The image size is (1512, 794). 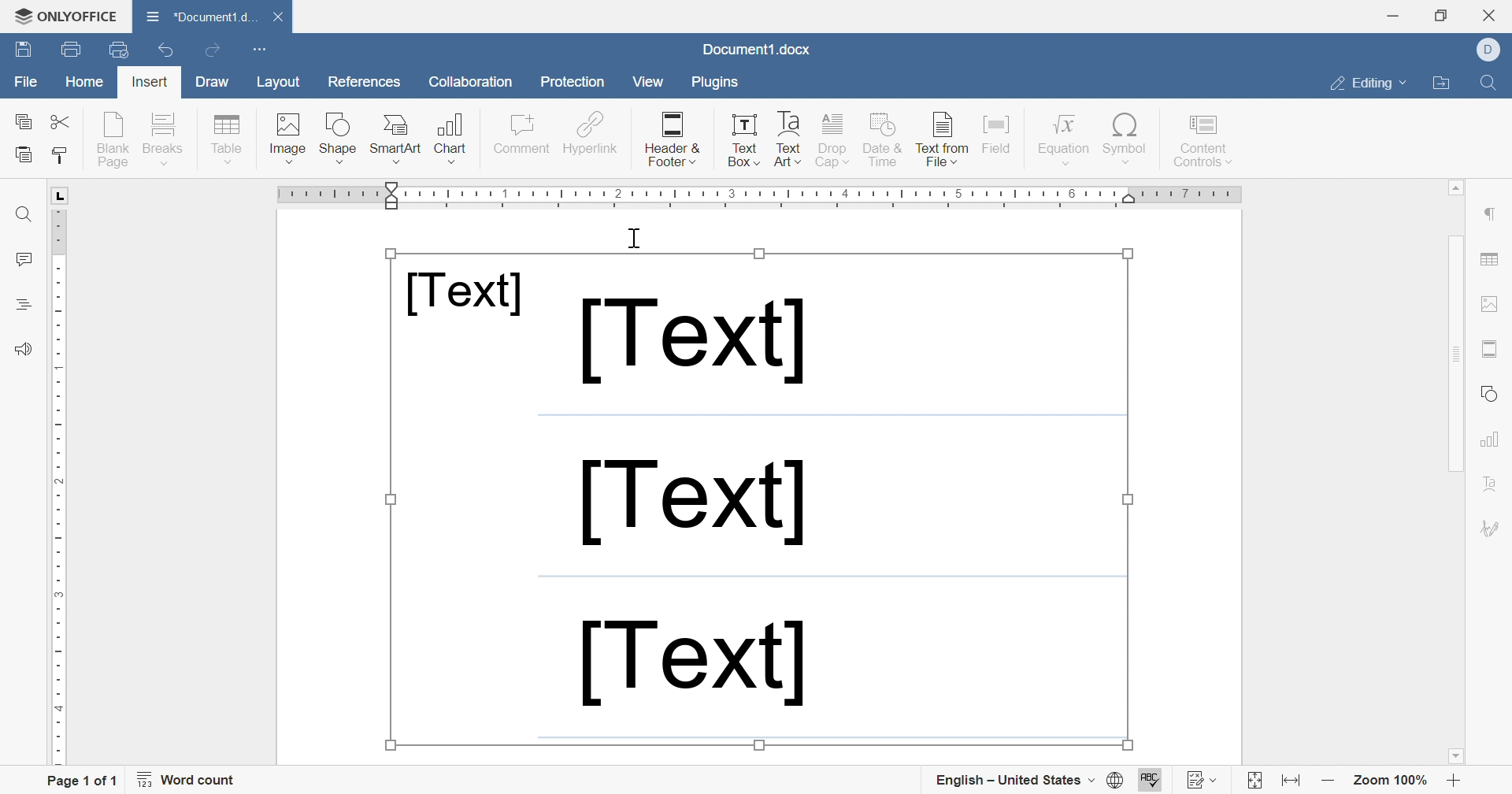 What do you see at coordinates (67, 50) in the screenshot?
I see `Print file` at bounding box center [67, 50].